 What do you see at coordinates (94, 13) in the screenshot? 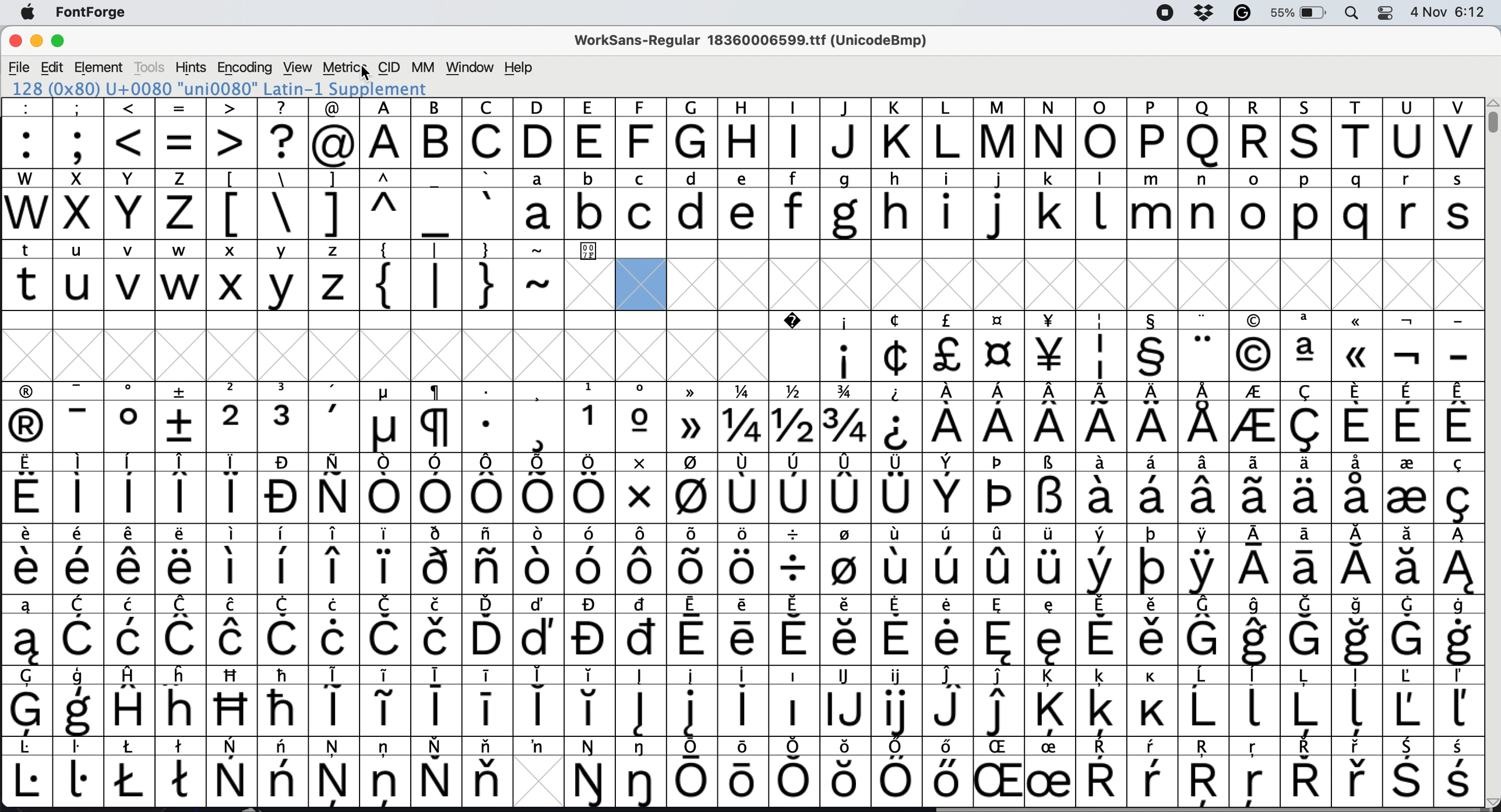
I see `FontForge` at bounding box center [94, 13].